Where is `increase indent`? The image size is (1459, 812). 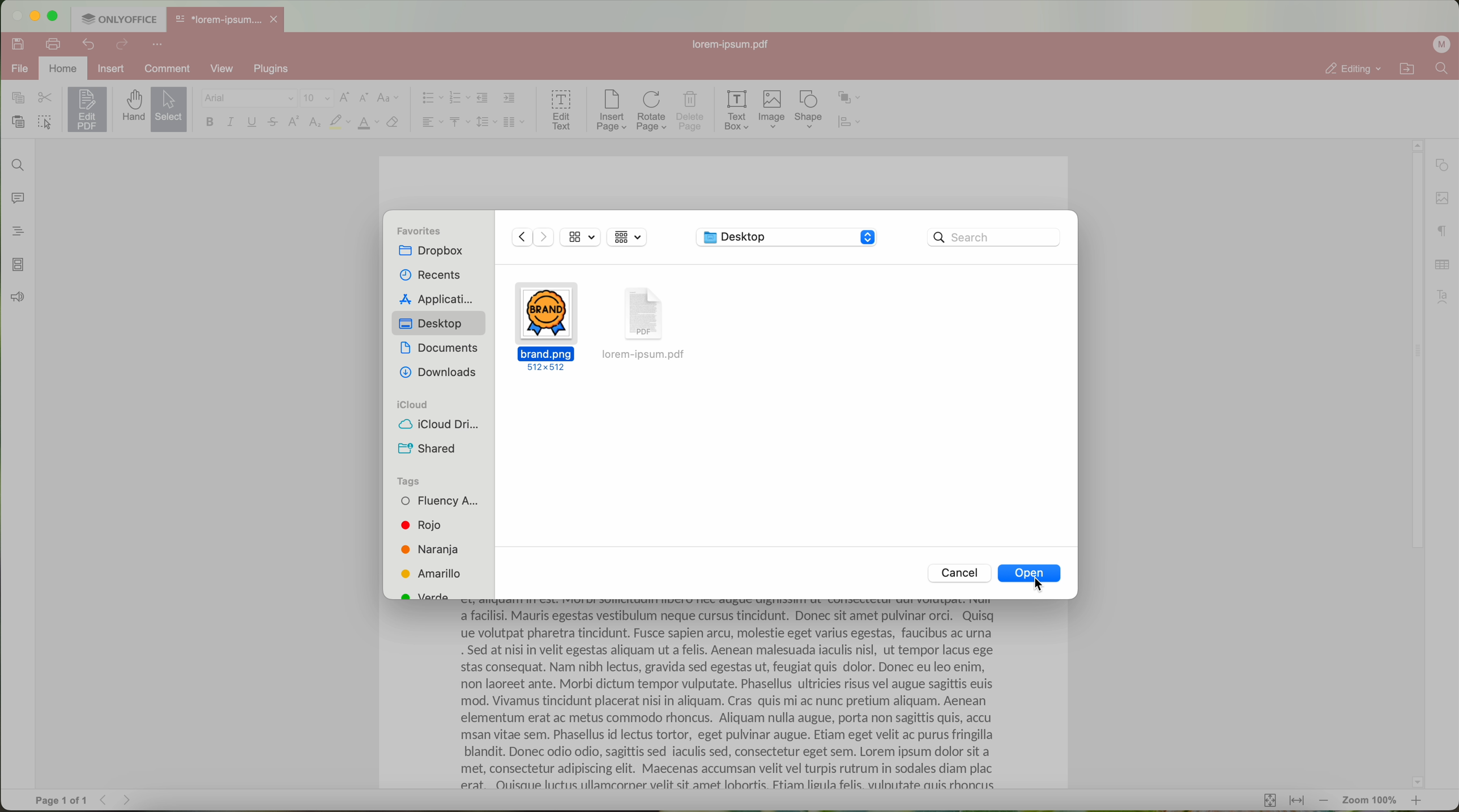 increase indent is located at coordinates (510, 97).